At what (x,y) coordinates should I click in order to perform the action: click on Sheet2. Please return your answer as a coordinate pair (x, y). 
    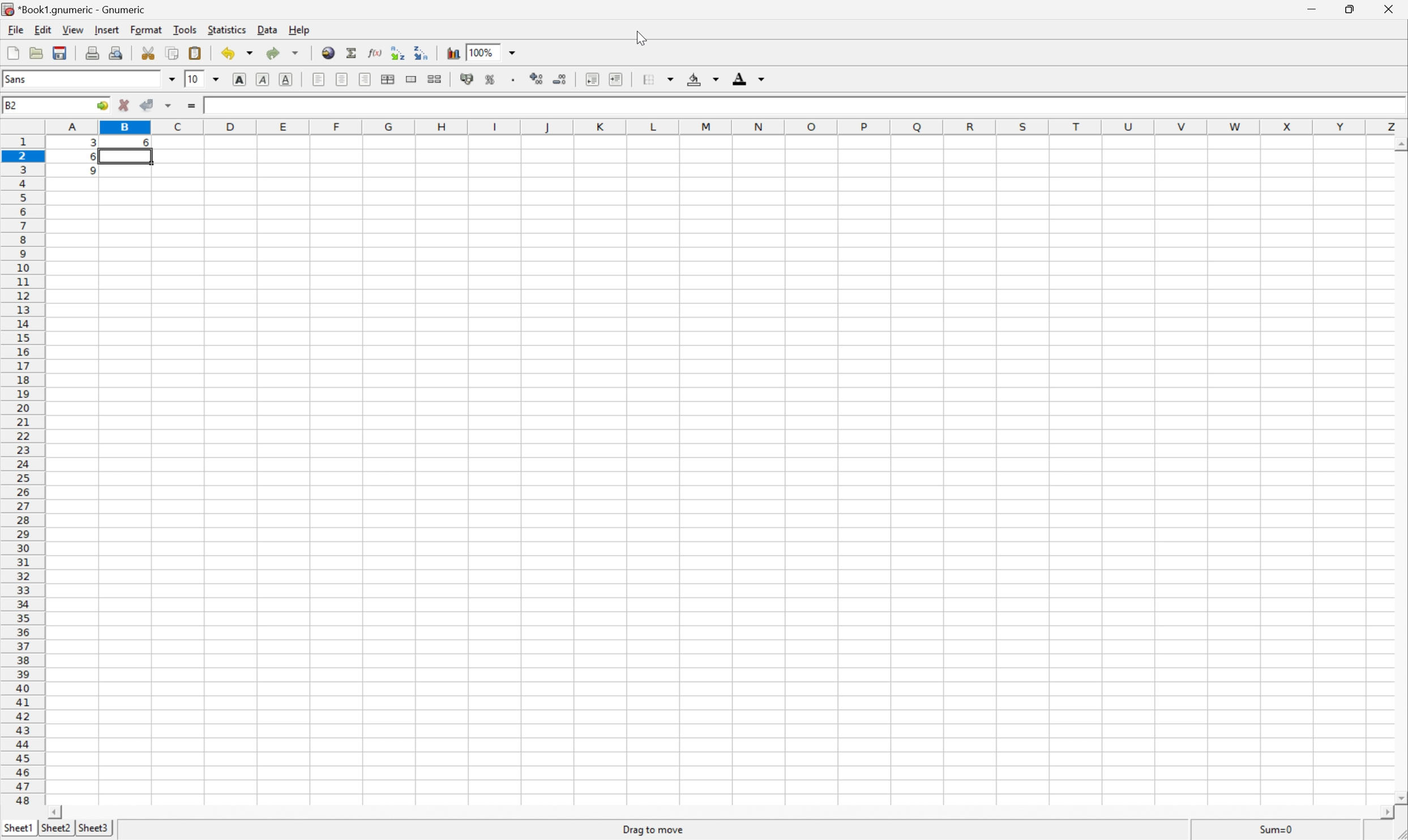
    Looking at the image, I should click on (55, 828).